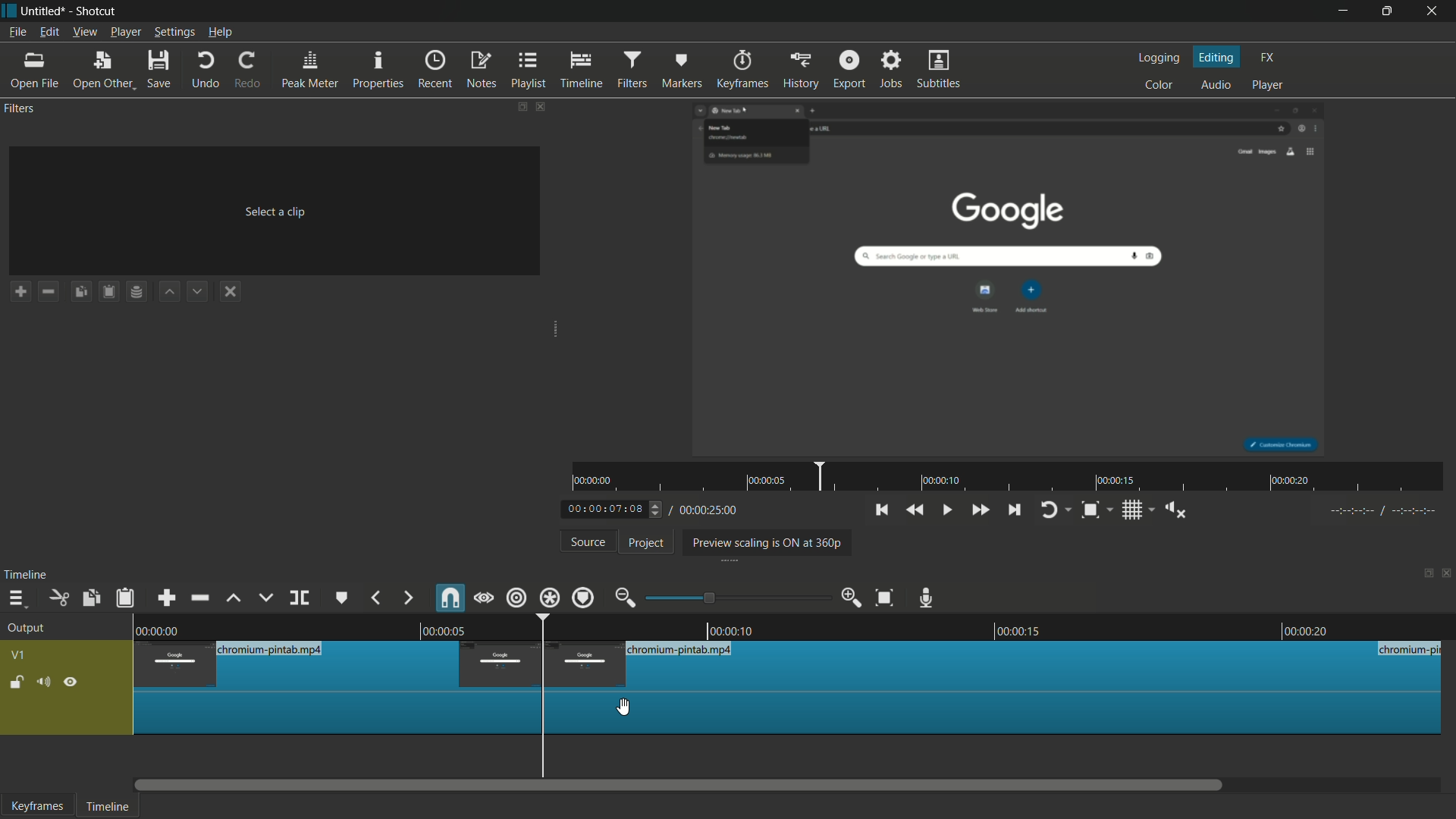 The image size is (1456, 819). Describe the element at coordinates (1012, 510) in the screenshot. I see `skip to the next point` at that location.